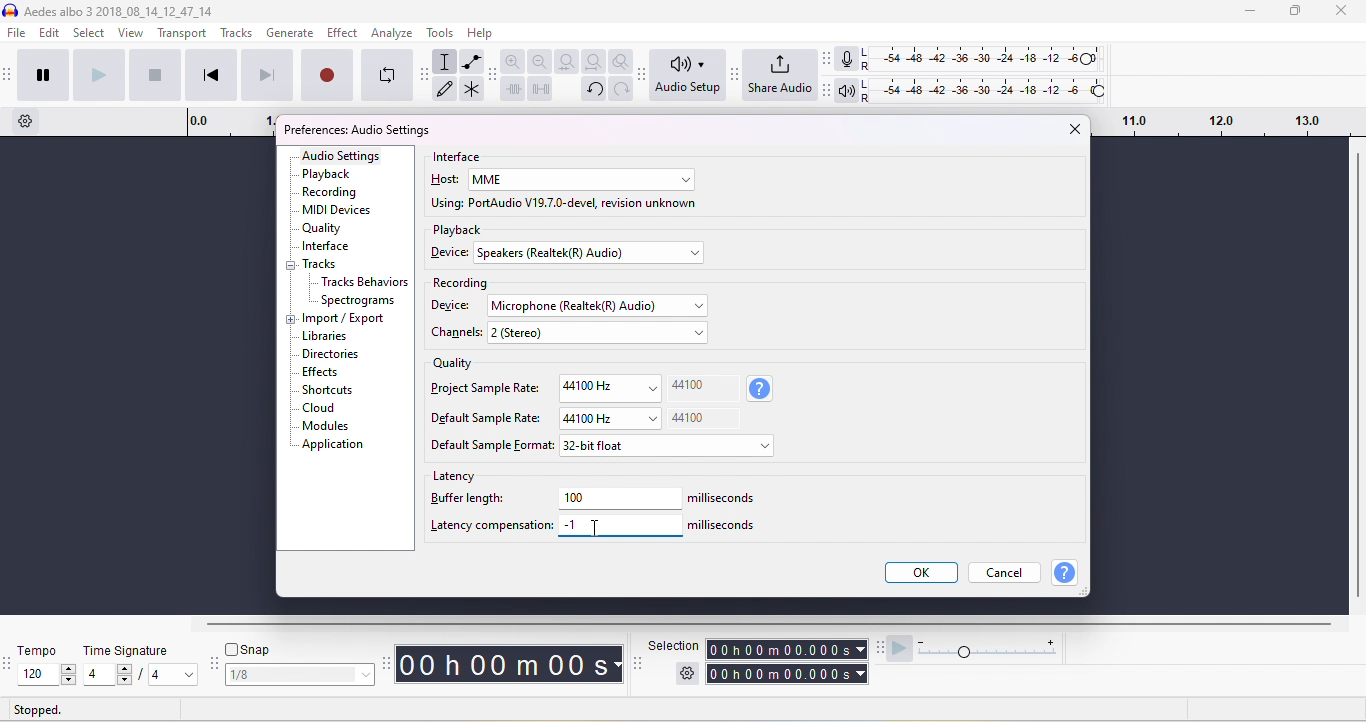  Describe the element at coordinates (331, 355) in the screenshot. I see `dictionaries` at that location.